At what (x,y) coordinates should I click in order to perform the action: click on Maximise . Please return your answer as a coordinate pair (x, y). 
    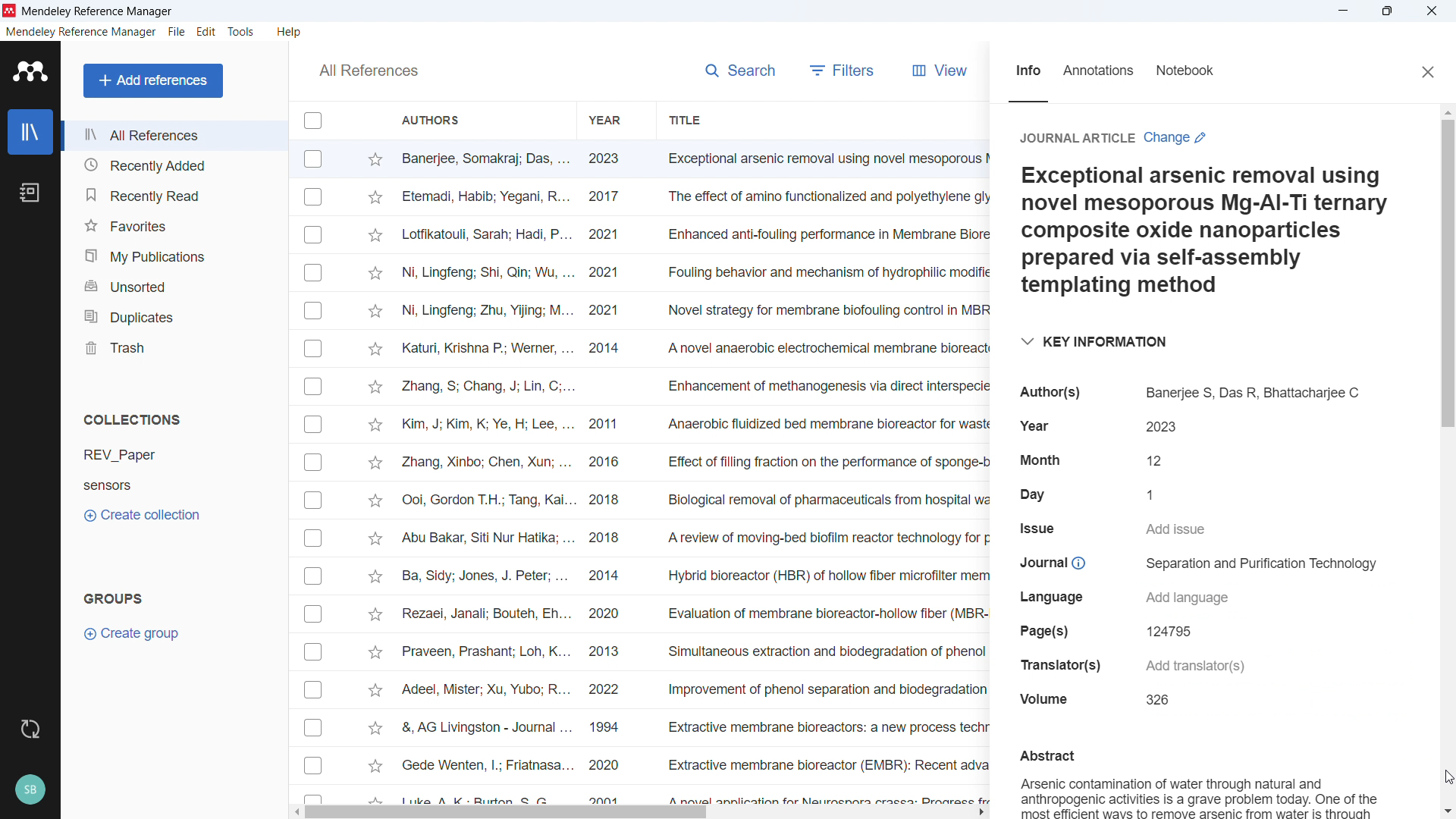
    Looking at the image, I should click on (1388, 11).